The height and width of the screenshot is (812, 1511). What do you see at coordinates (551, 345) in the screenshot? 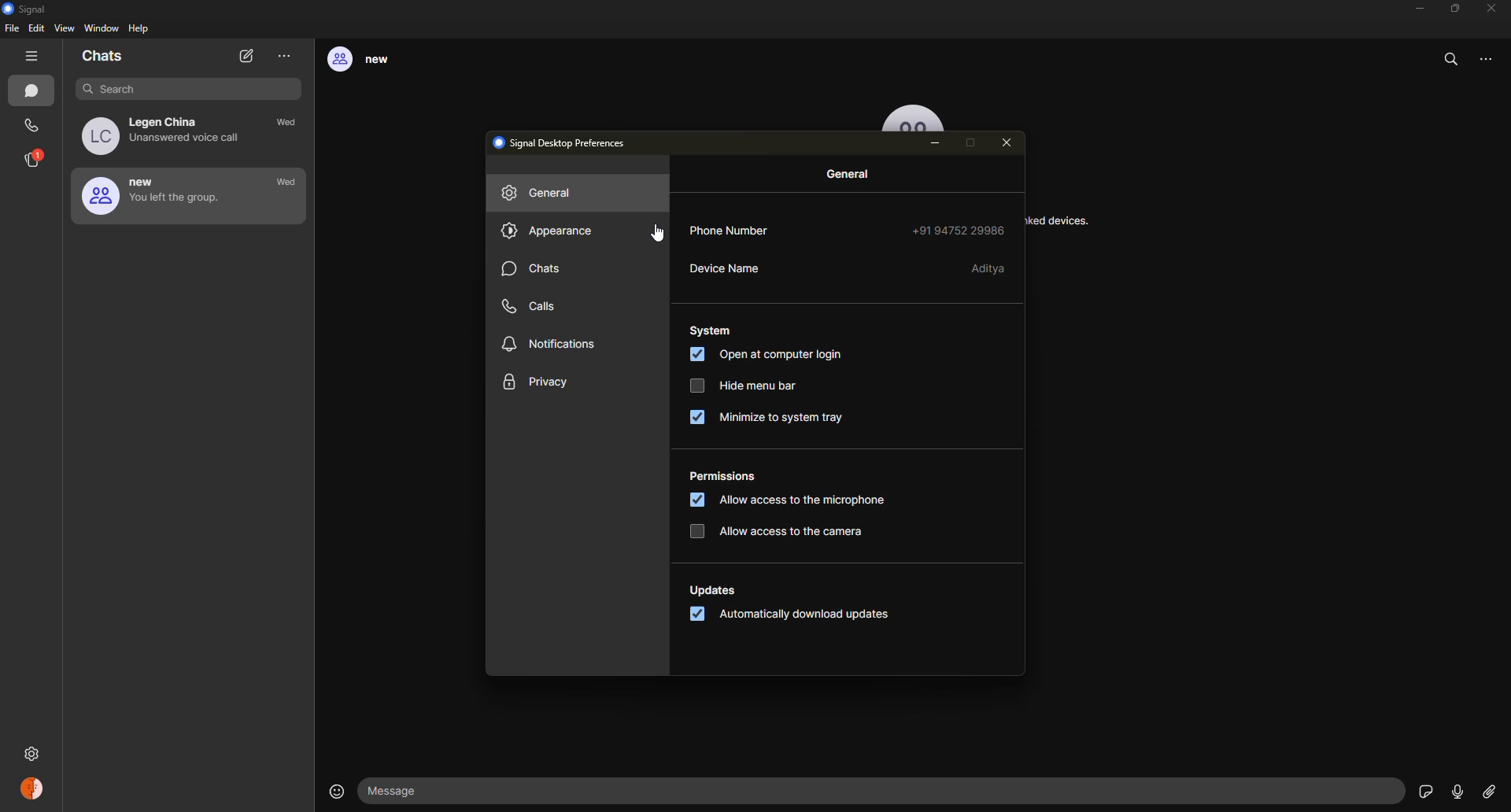
I see `notifications` at bounding box center [551, 345].